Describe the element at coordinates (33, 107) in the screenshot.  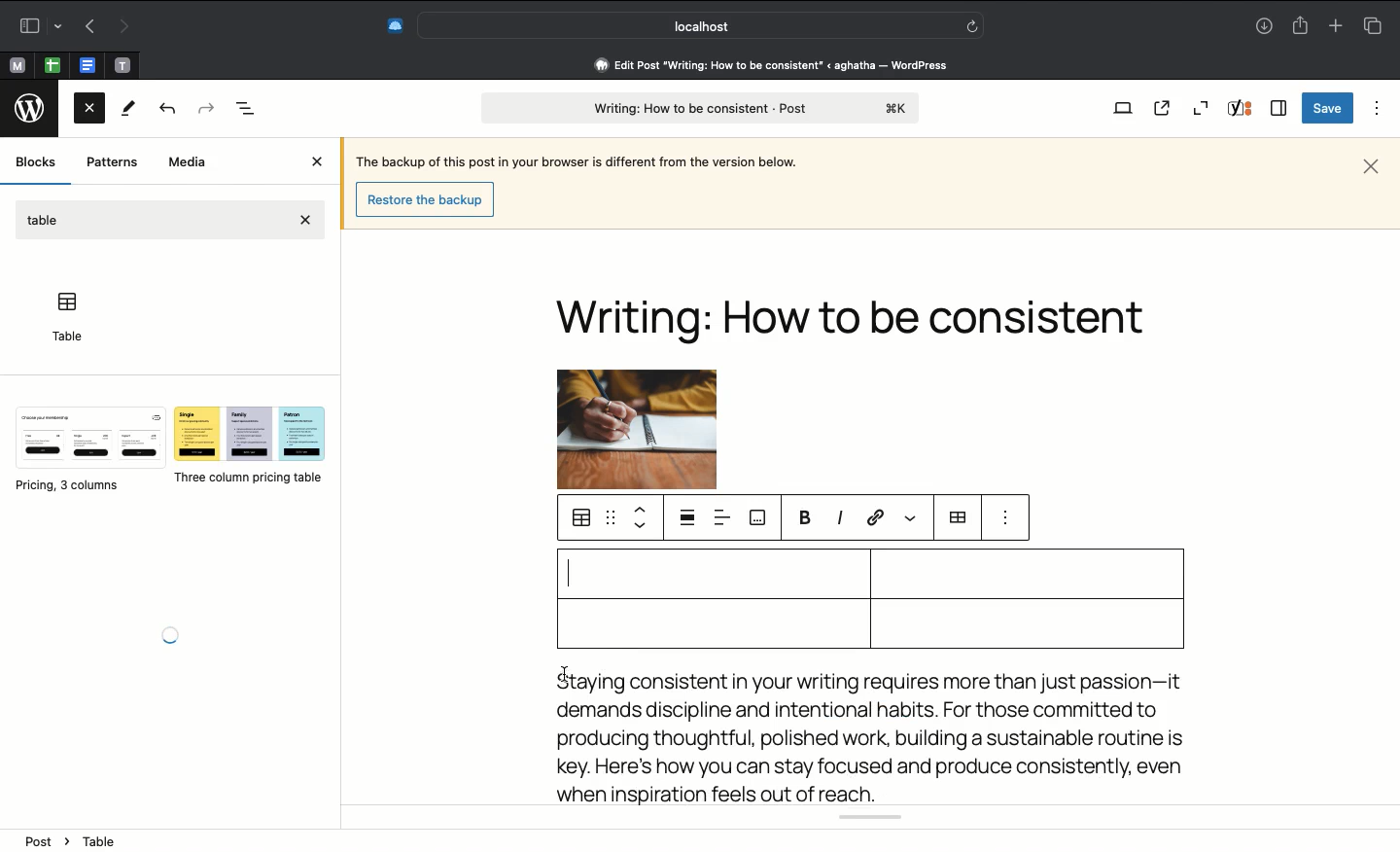
I see `Wordpress` at that location.